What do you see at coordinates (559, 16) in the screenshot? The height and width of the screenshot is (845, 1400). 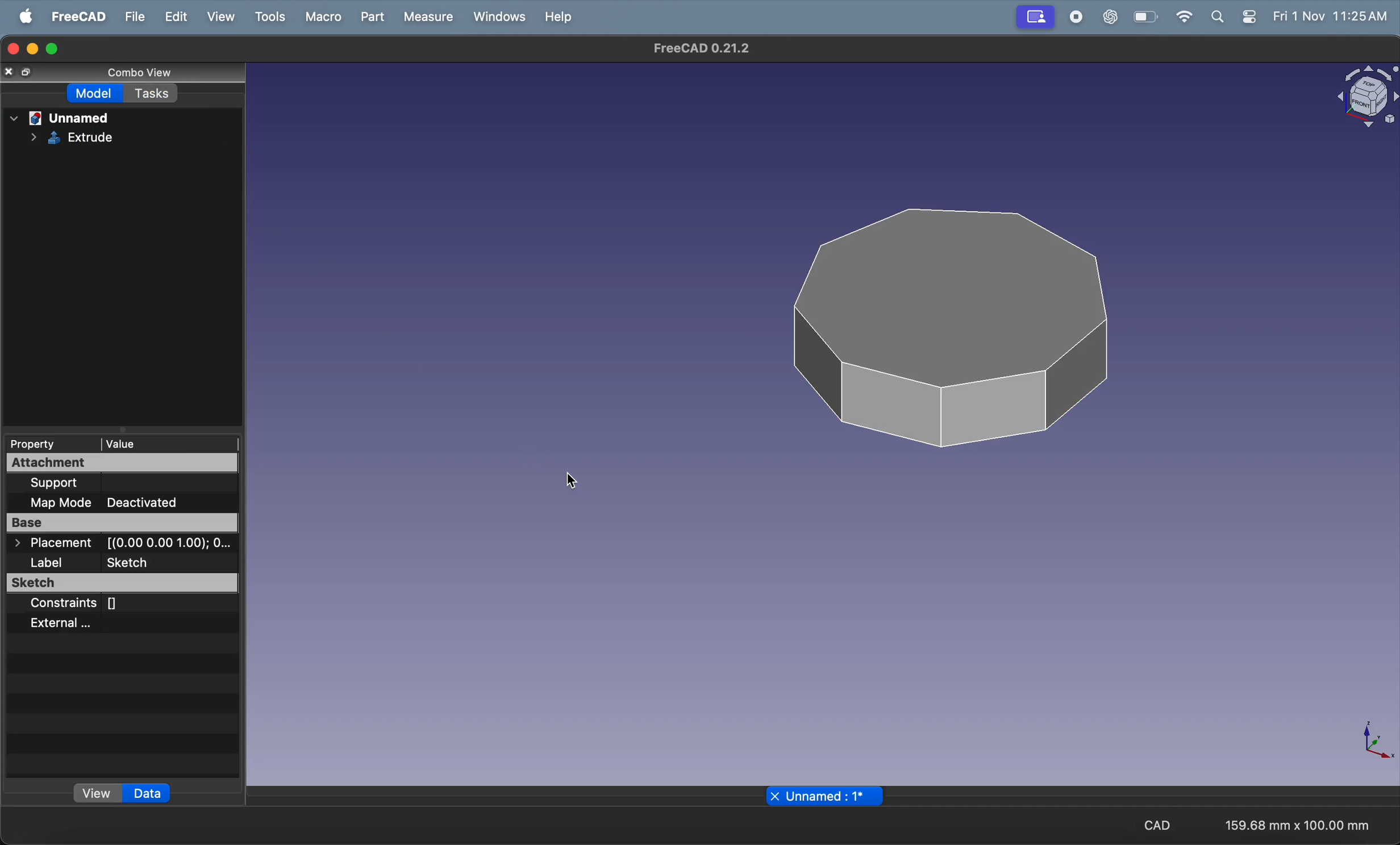 I see `help` at bounding box center [559, 16].